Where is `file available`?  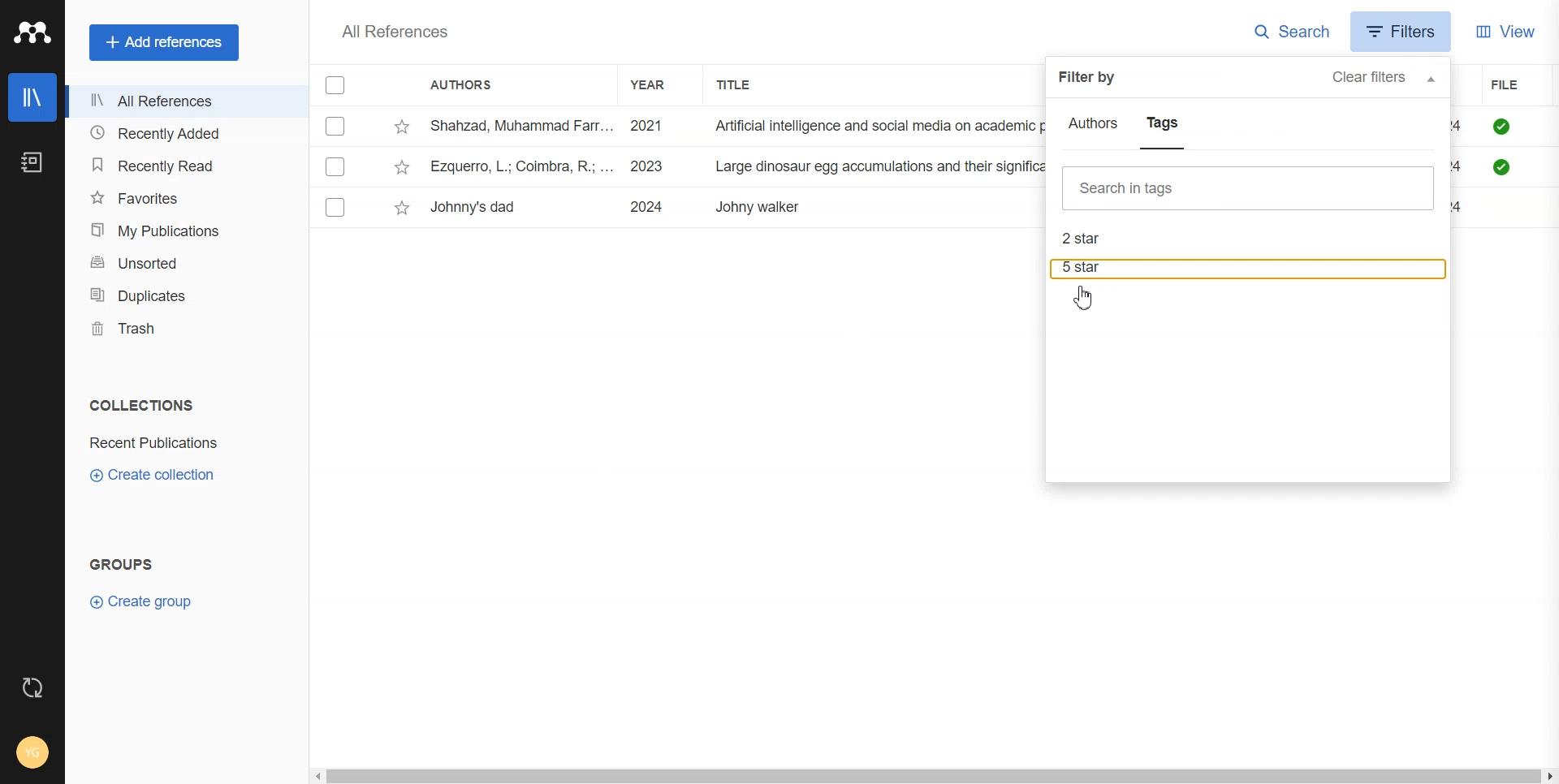
file available is located at coordinates (1505, 149).